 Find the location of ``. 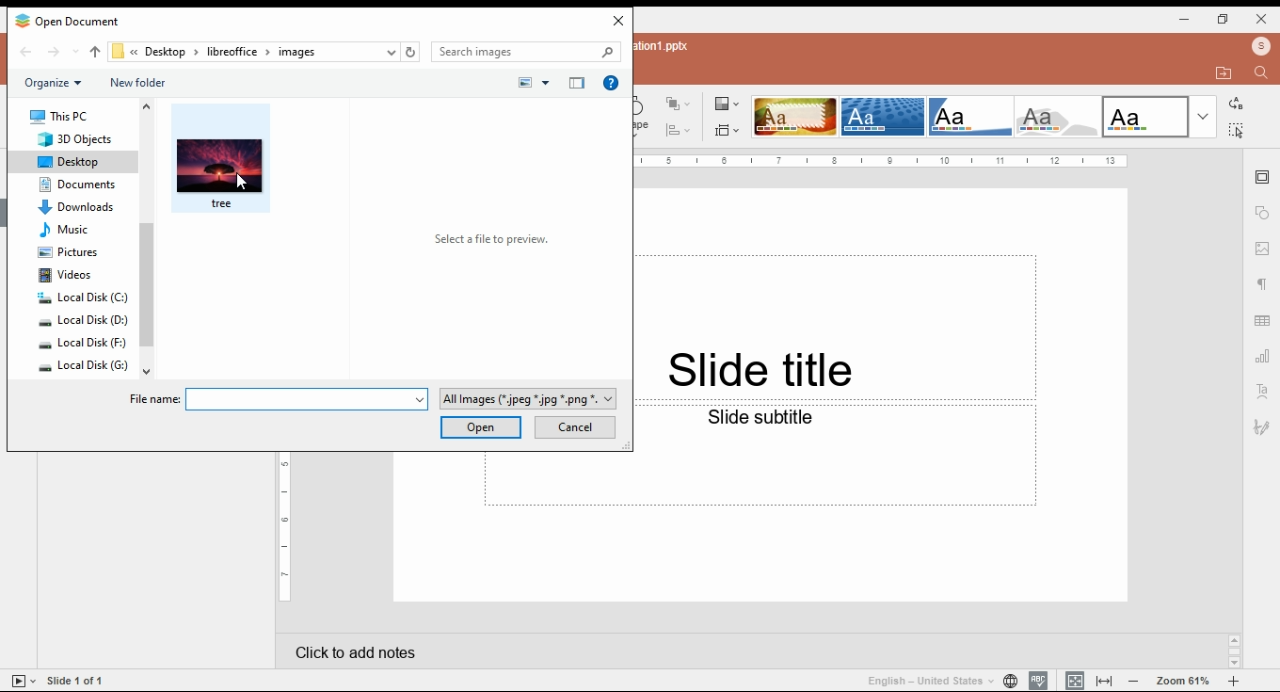

 is located at coordinates (1261, 427).